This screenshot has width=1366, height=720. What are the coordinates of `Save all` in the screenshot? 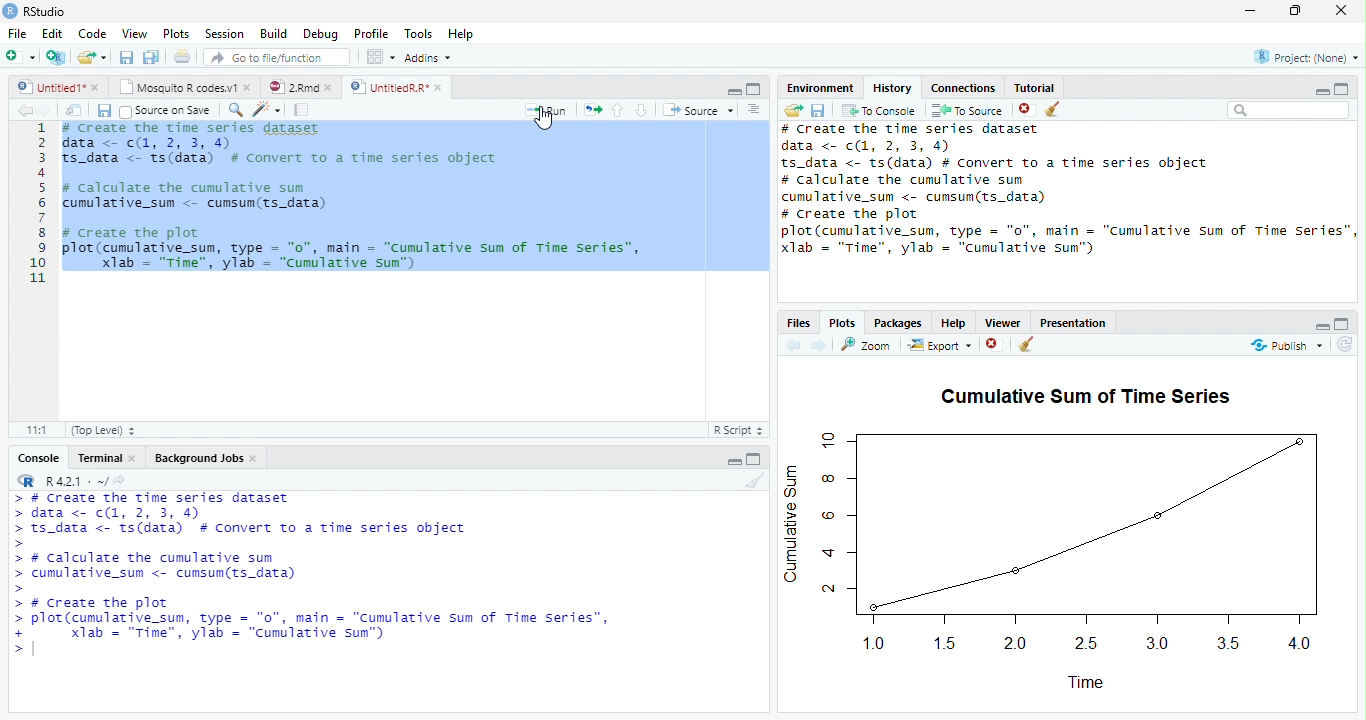 It's located at (150, 58).